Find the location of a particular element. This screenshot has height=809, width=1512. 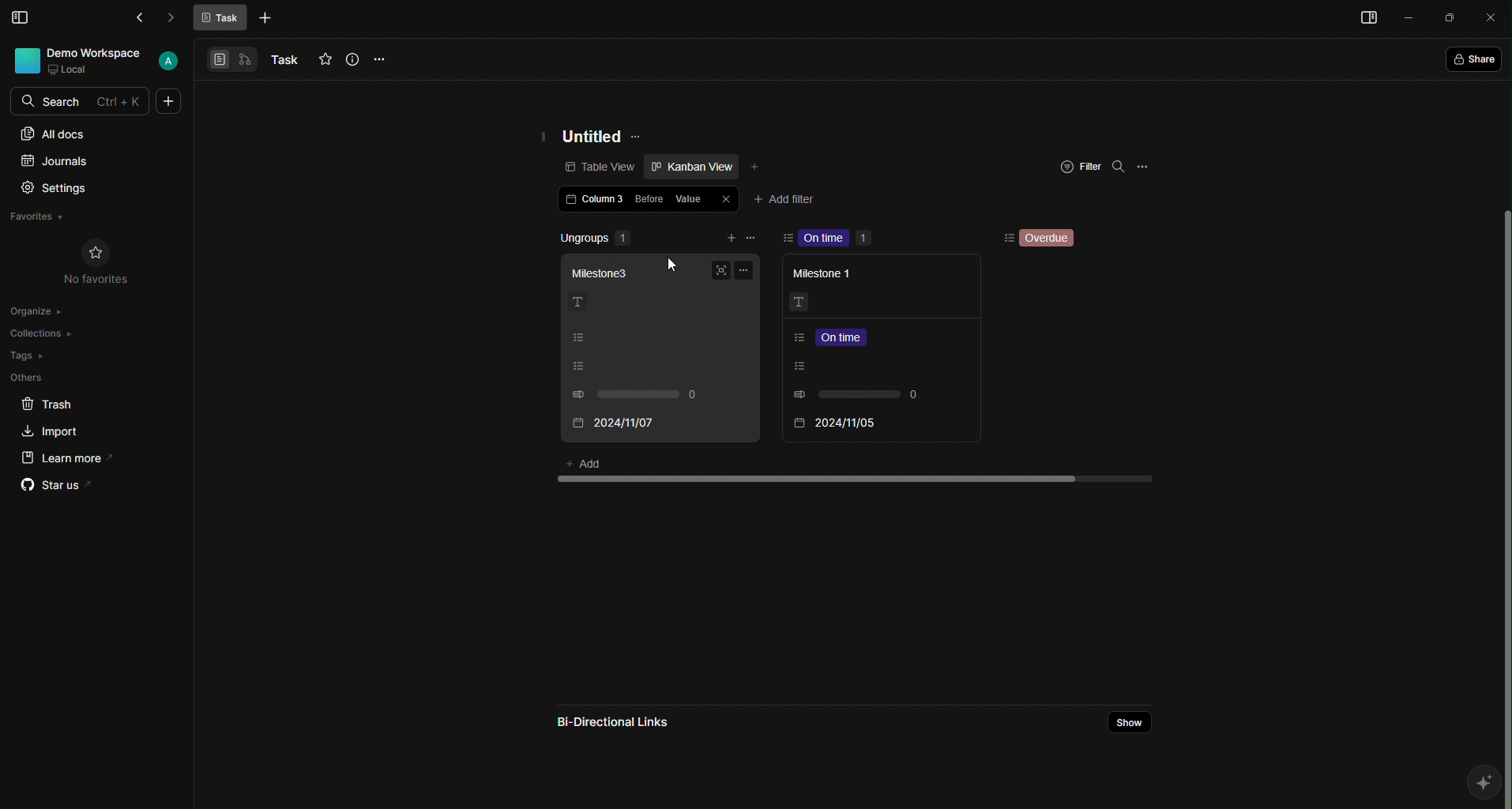

Settings is located at coordinates (54, 188).